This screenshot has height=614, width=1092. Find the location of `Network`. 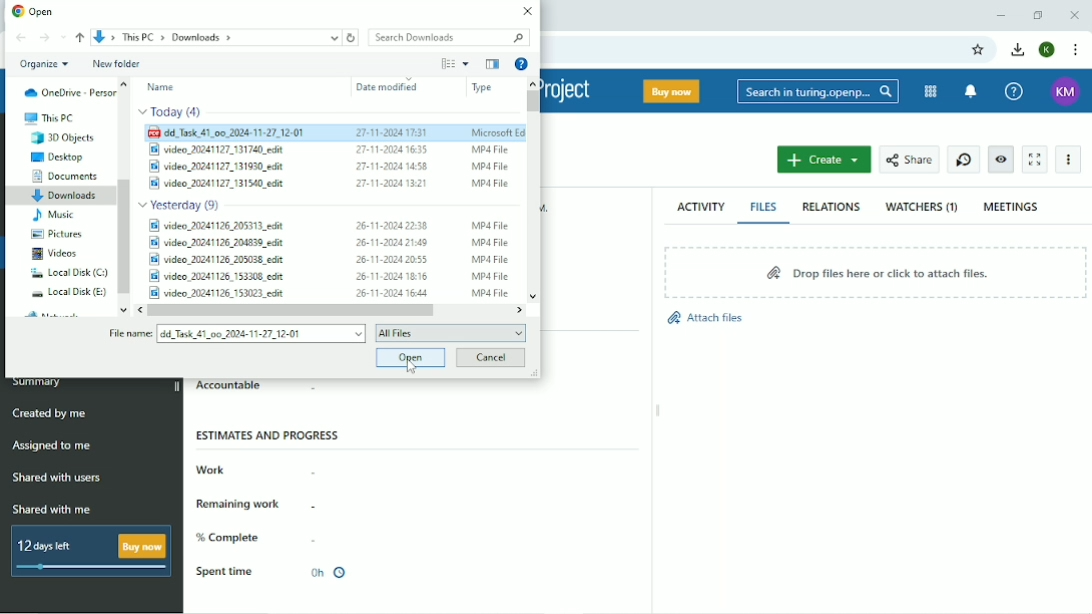

Network is located at coordinates (56, 313).